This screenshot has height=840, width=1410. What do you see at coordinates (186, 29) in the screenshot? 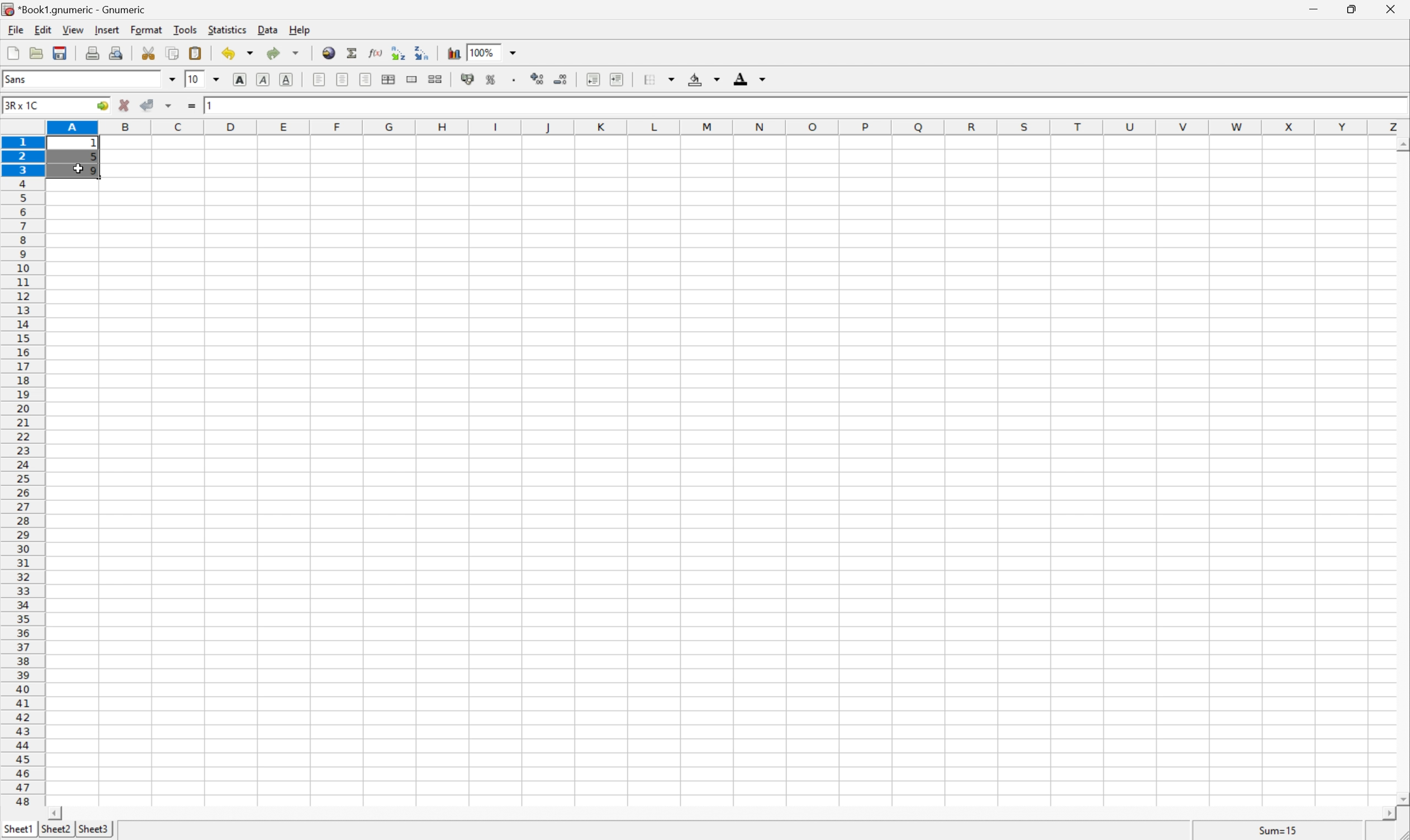
I see `tools` at bounding box center [186, 29].